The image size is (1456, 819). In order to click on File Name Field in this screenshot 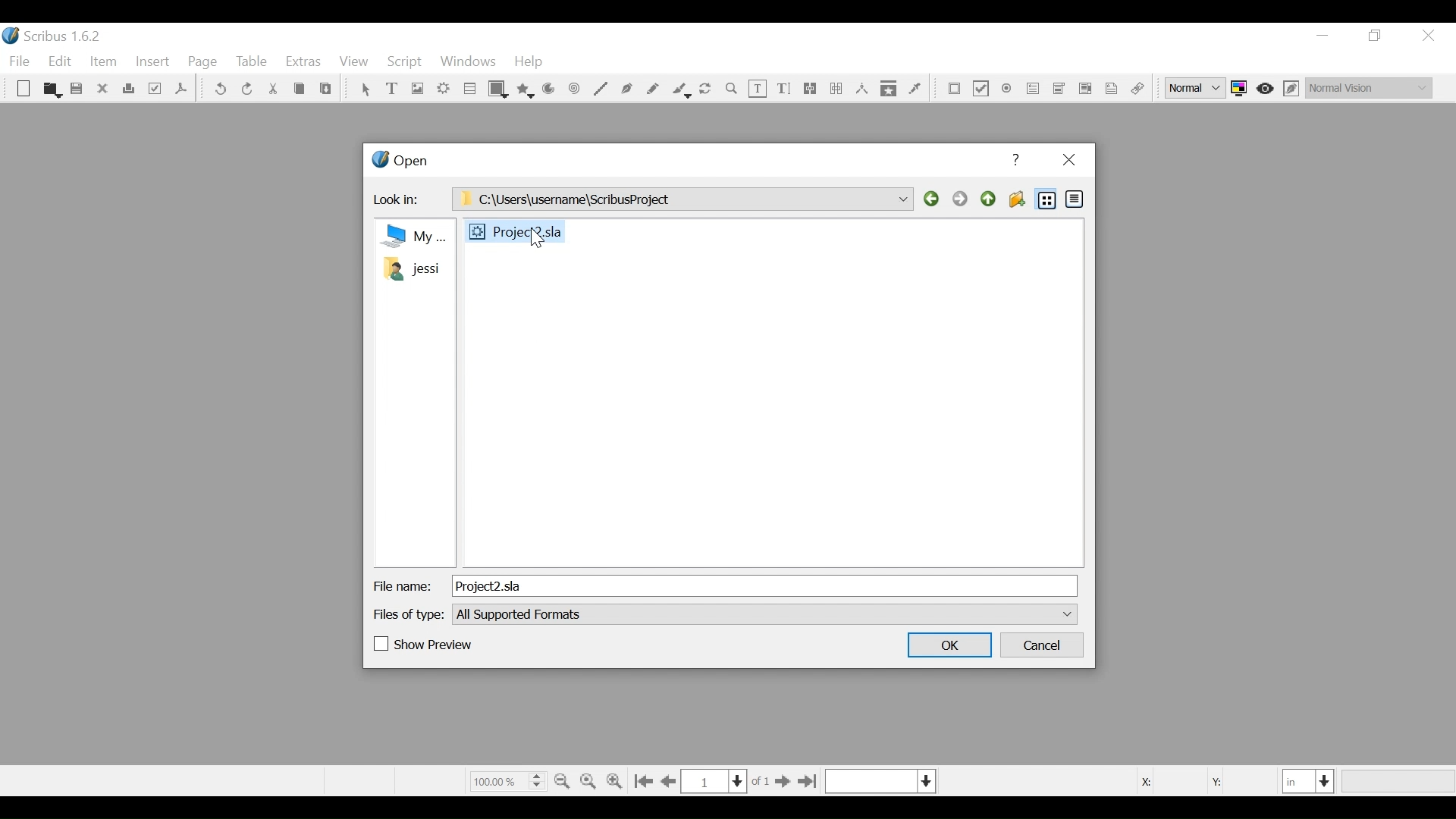, I will do `click(766, 585)`.